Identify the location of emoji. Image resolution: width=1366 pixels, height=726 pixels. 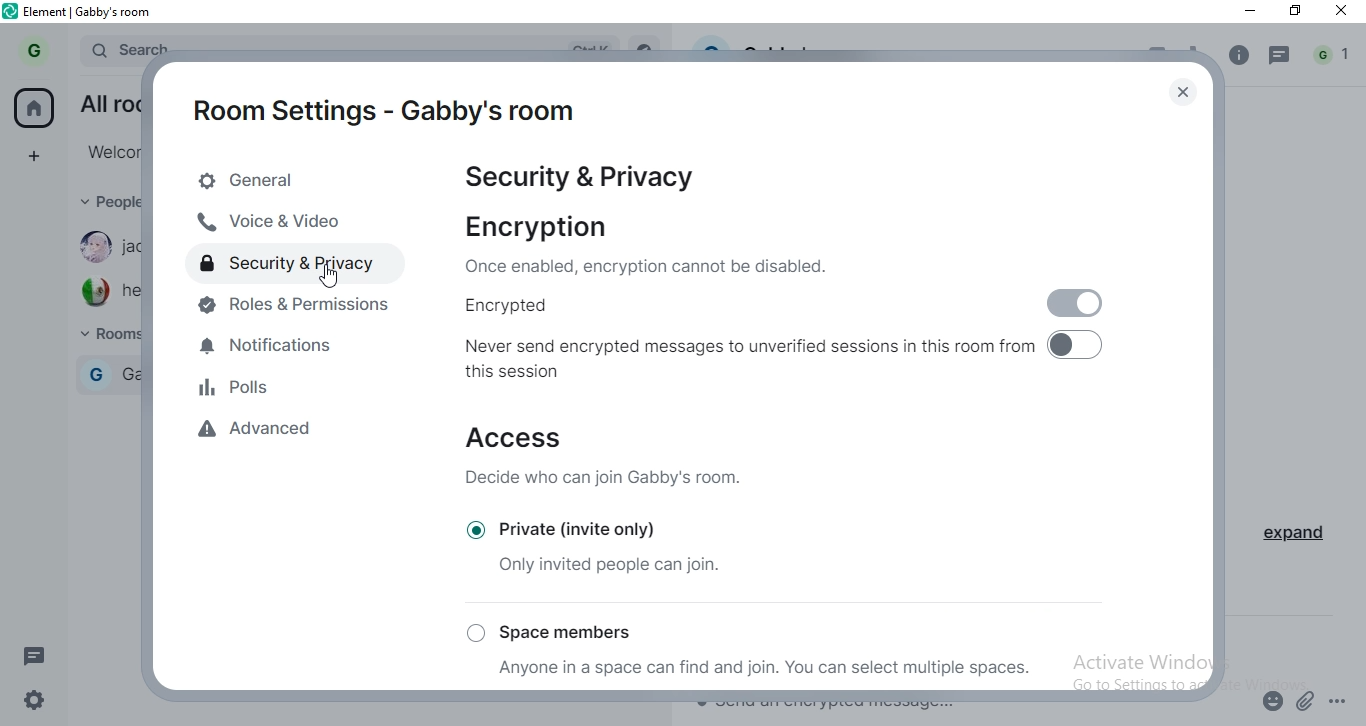
(1270, 705).